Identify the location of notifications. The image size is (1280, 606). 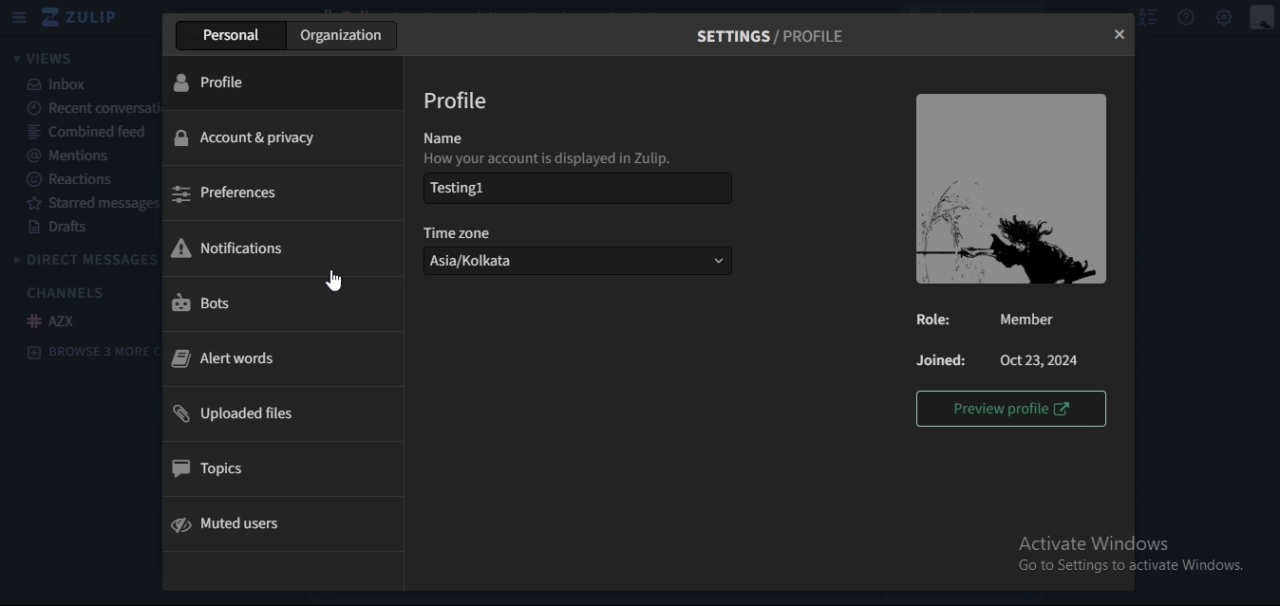
(223, 247).